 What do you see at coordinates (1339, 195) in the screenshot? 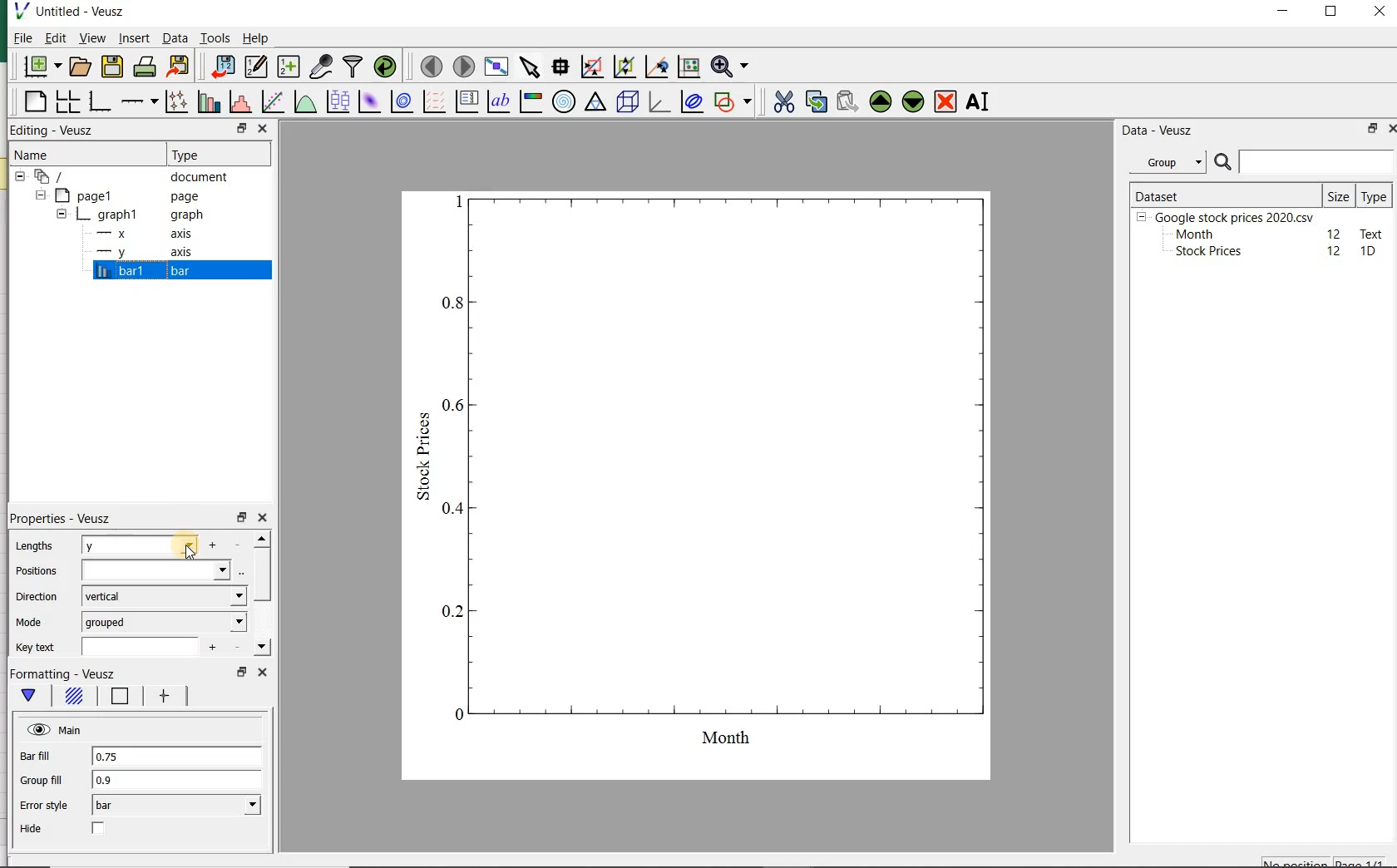
I see `Size` at bounding box center [1339, 195].